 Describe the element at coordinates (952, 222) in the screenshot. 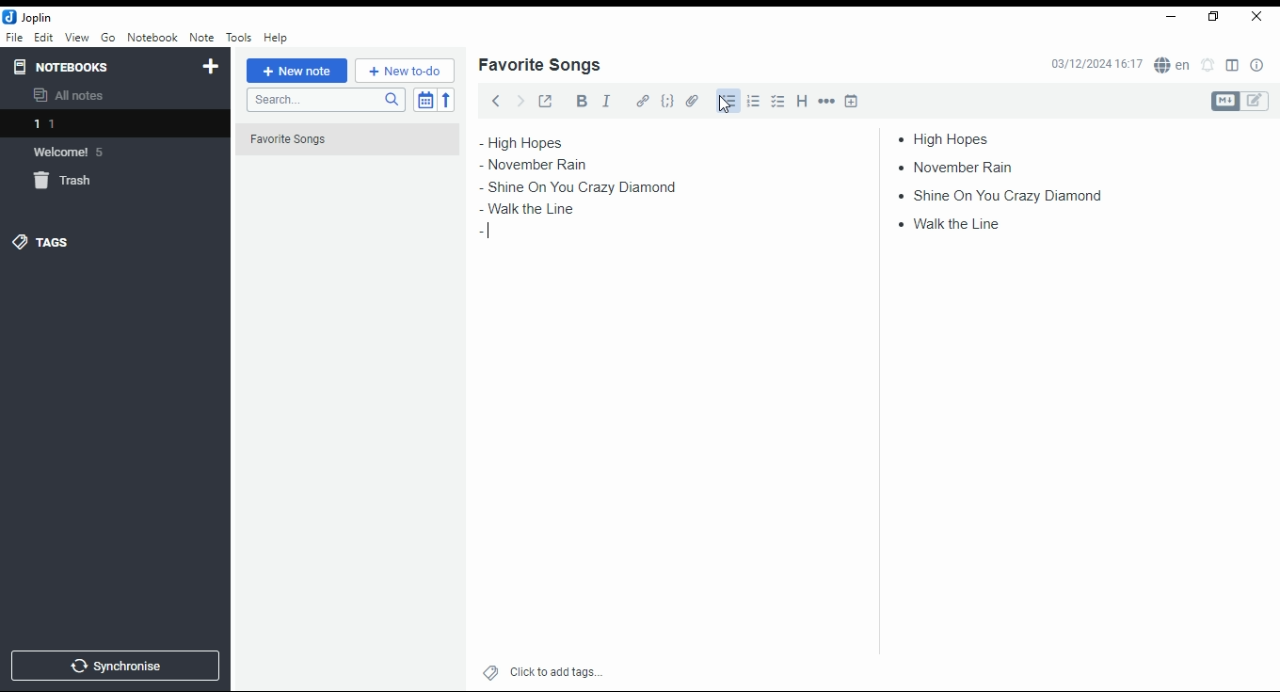

I see `walk ta line` at that location.